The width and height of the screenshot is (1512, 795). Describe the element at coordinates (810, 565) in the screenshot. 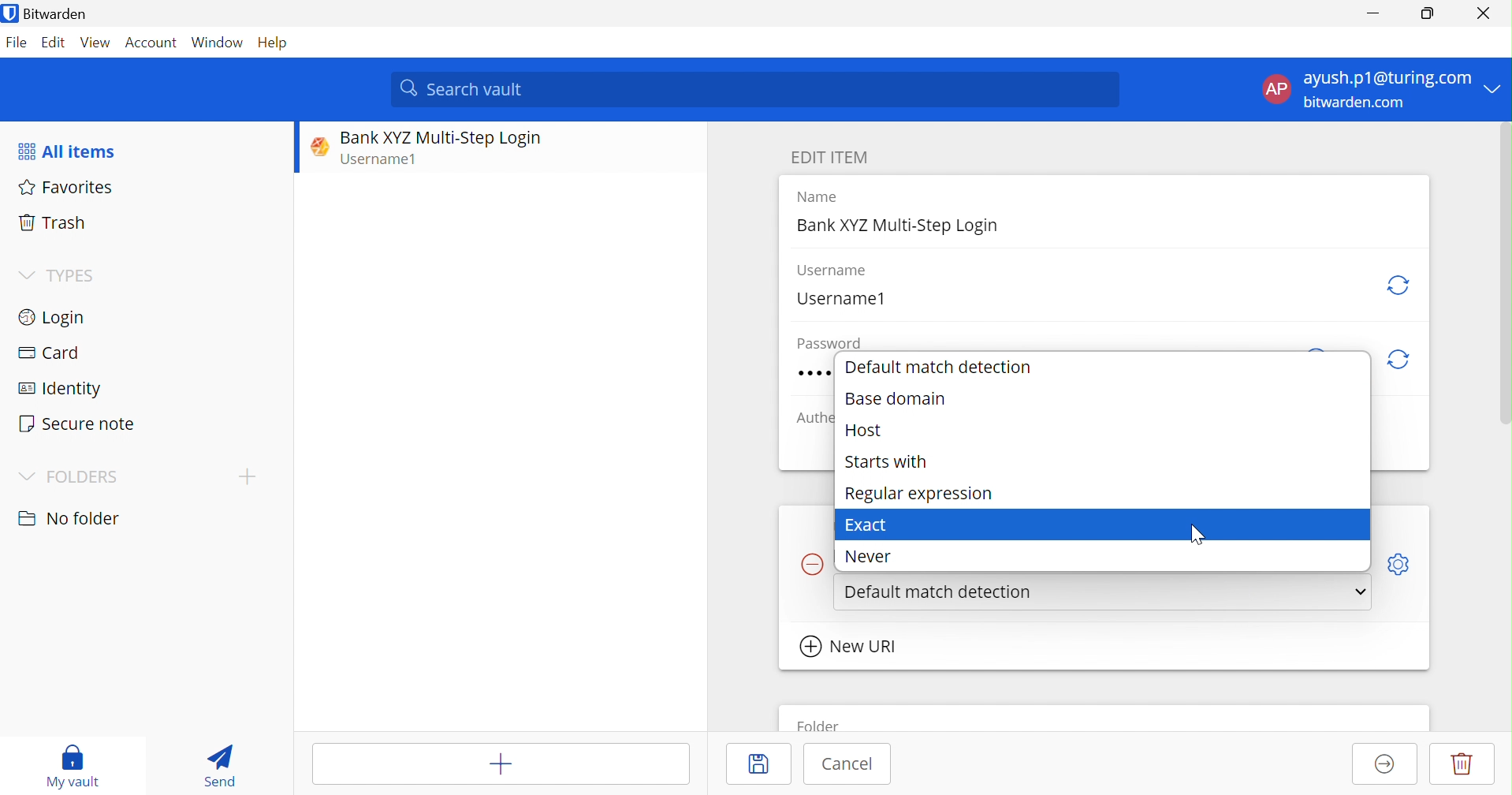

I see `Remove` at that location.